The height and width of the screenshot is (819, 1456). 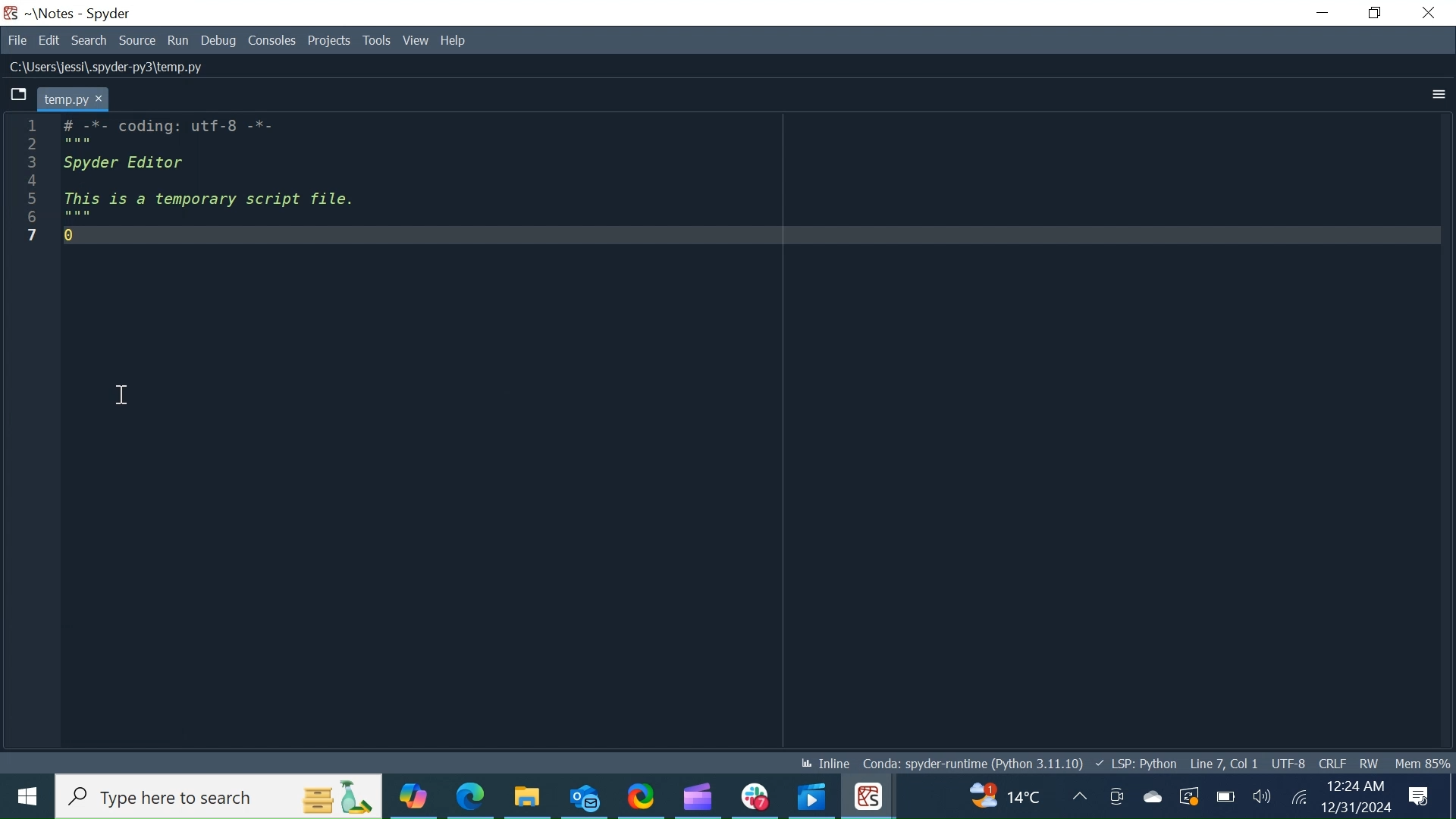 What do you see at coordinates (74, 99) in the screenshot?
I see `temp.py` at bounding box center [74, 99].